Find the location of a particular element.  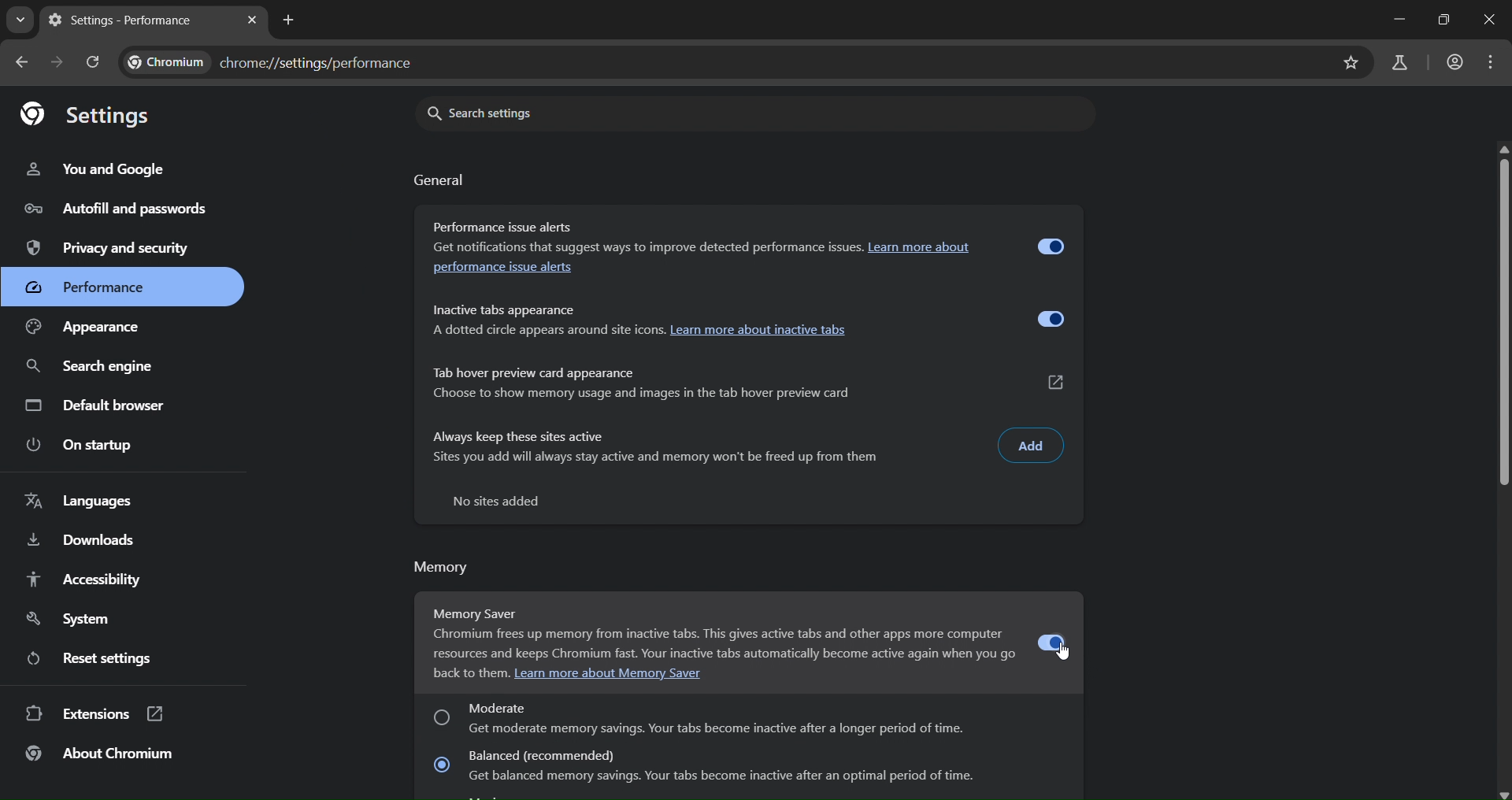

Default browser is located at coordinates (98, 406).